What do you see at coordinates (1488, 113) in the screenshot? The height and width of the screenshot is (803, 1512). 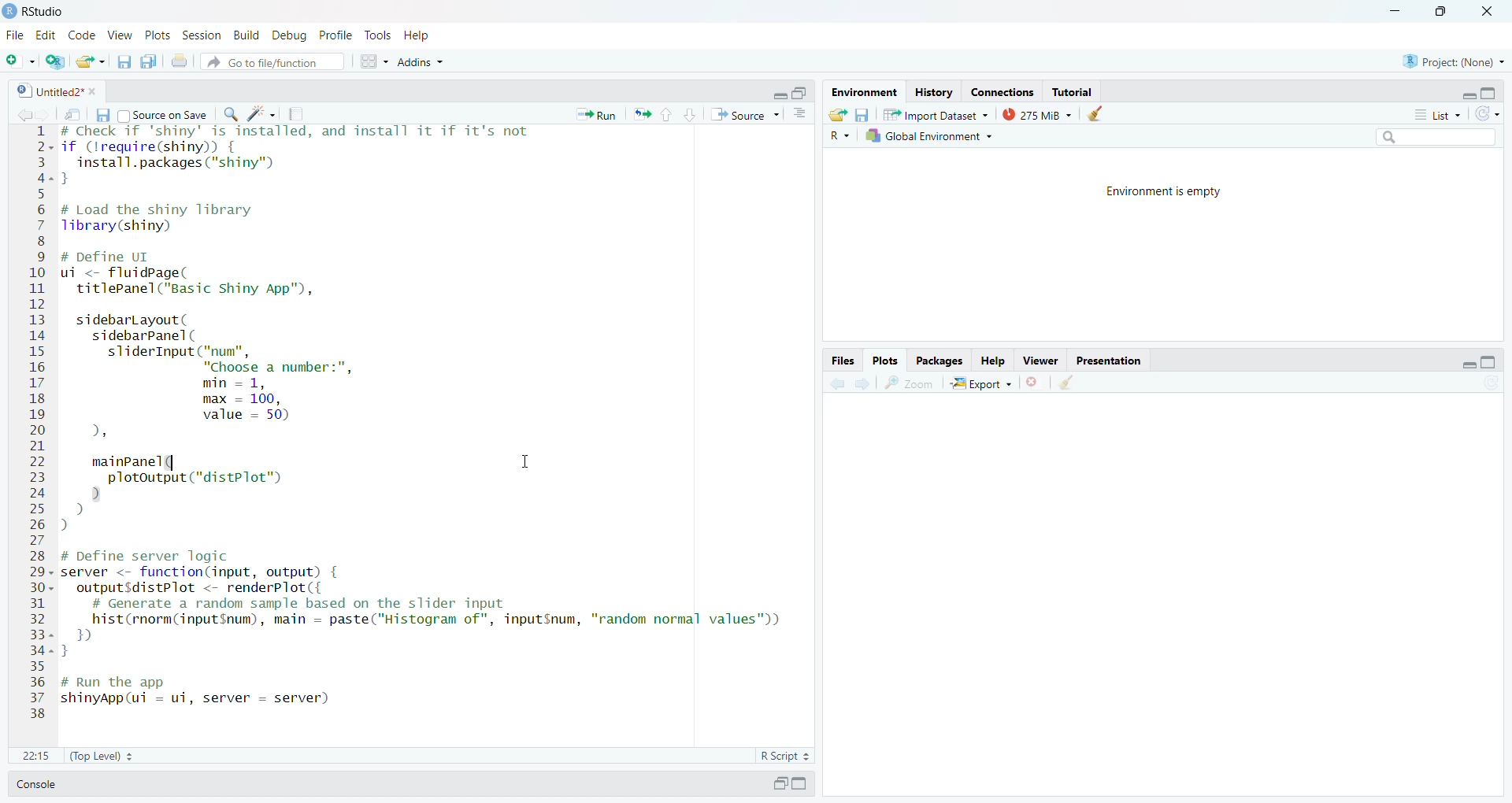 I see `refresh` at bounding box center [1488, 113].